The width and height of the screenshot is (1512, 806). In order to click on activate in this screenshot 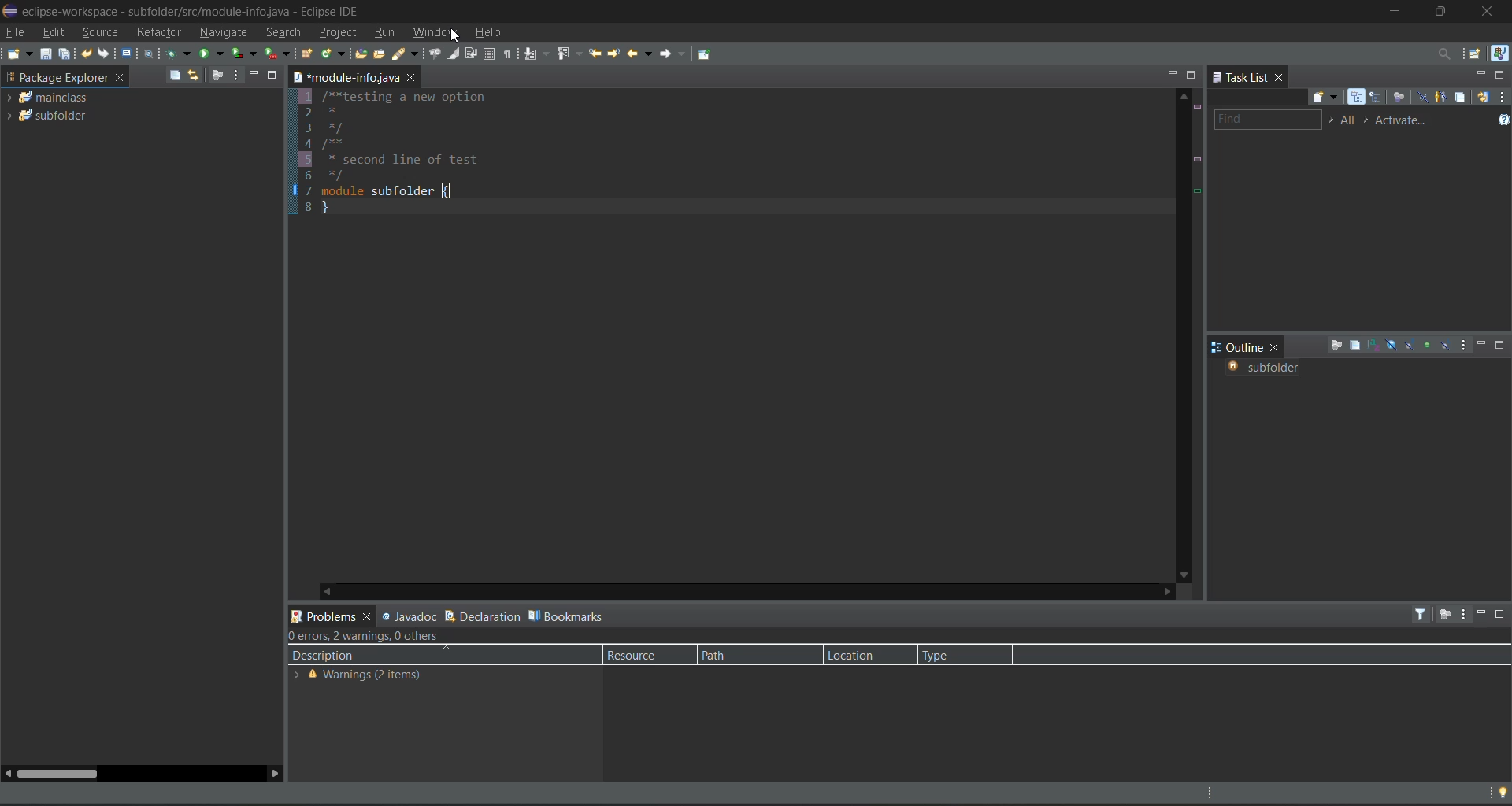, I will do `click(1406, 121)`.